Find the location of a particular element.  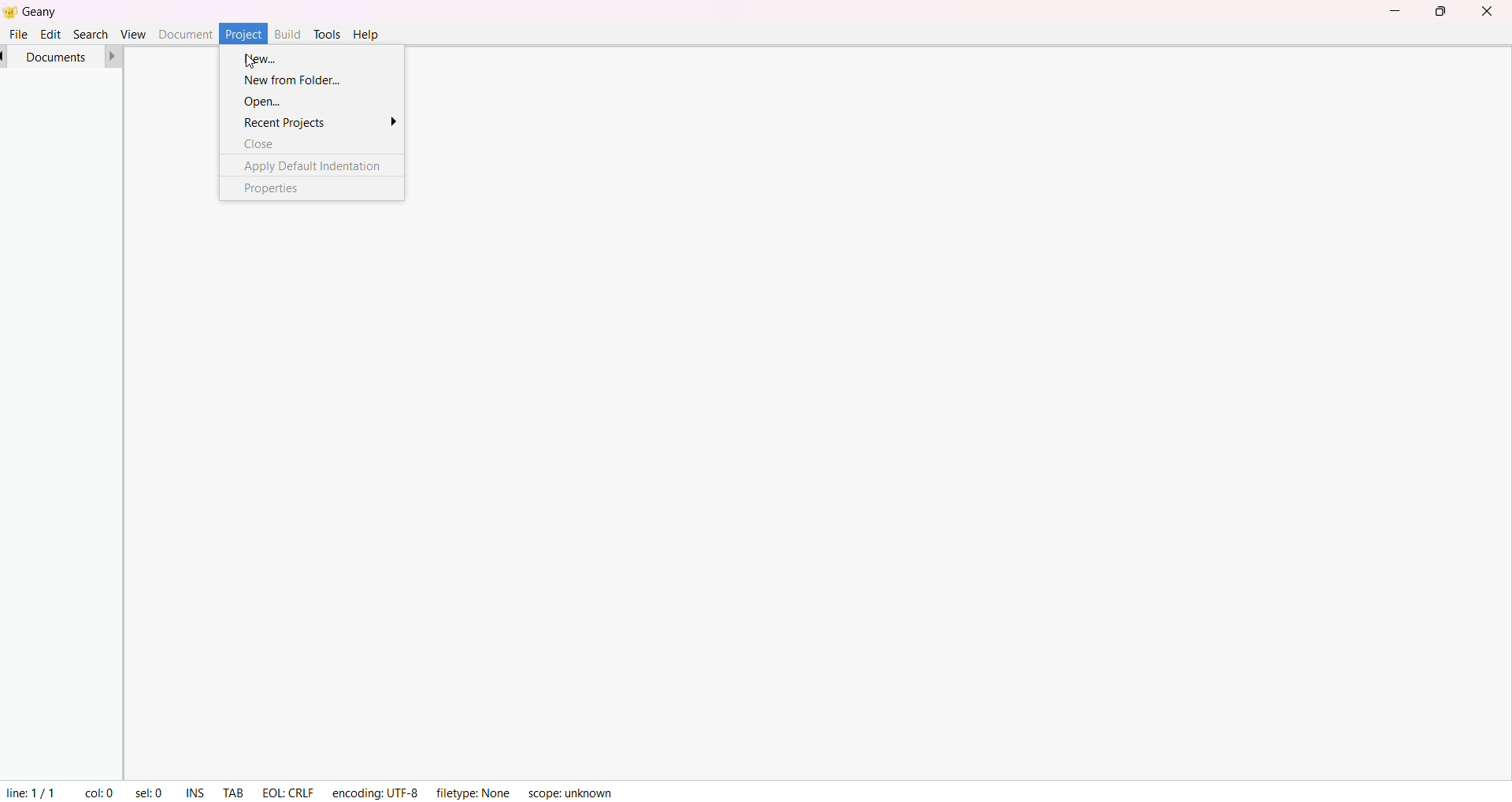

EOL: CRLF is located at coordinates (289, 789).